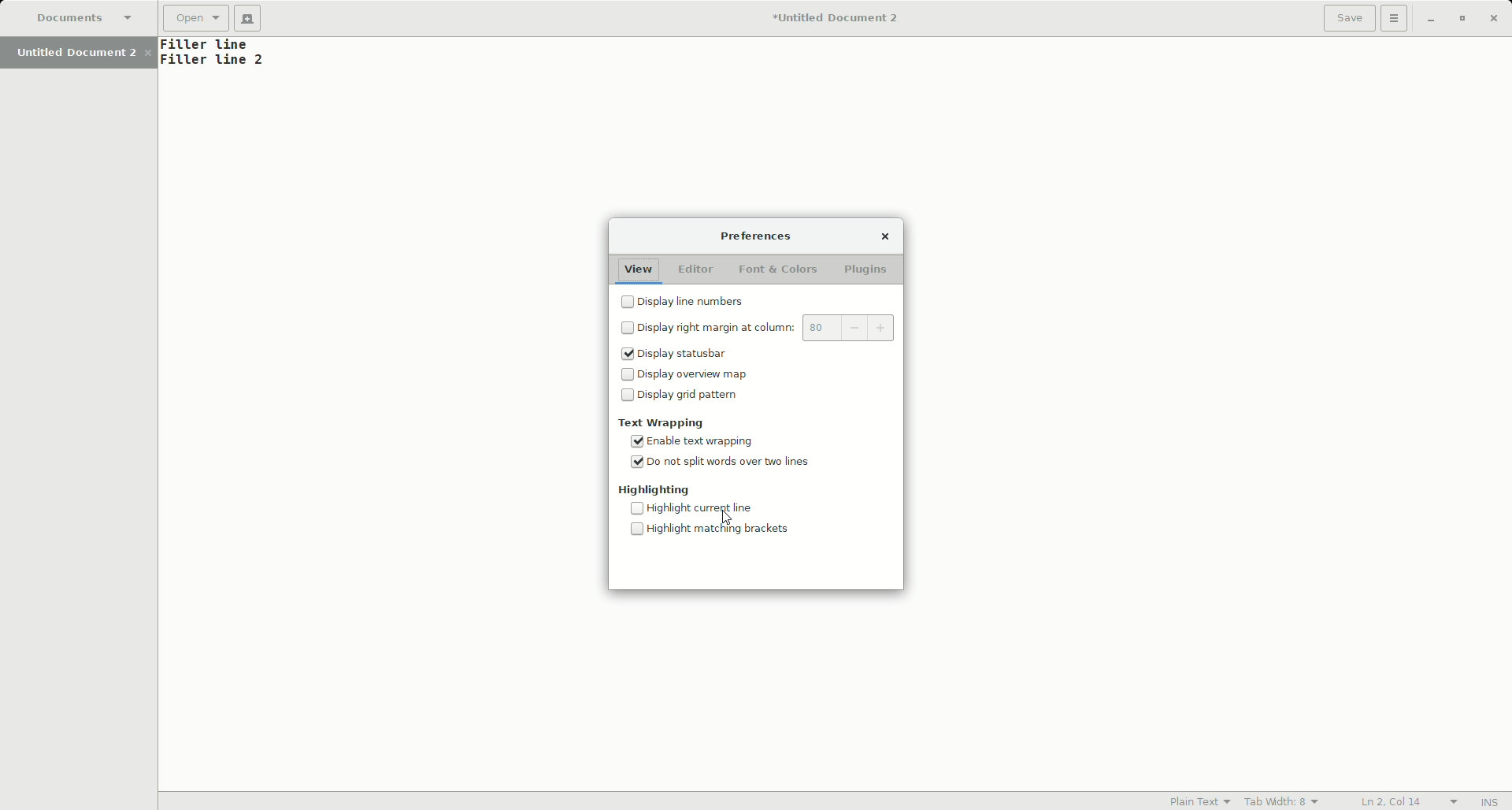 This screenshot has height=810, width=1512. What do you see at coordinates (681, 355) in the screenshot?
I see `Display statusbar` at bounding box center [681, 355].